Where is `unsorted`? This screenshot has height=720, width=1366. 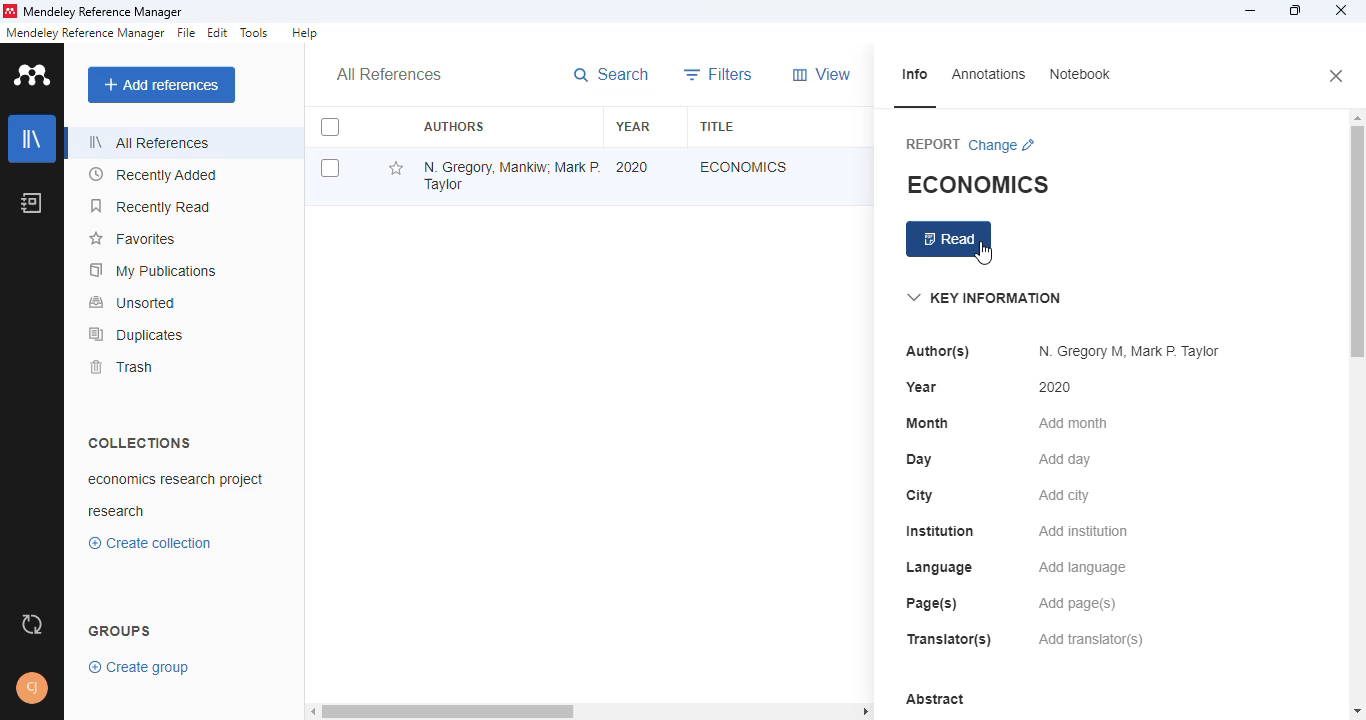 unsorted is located at coordinates (132, 303).